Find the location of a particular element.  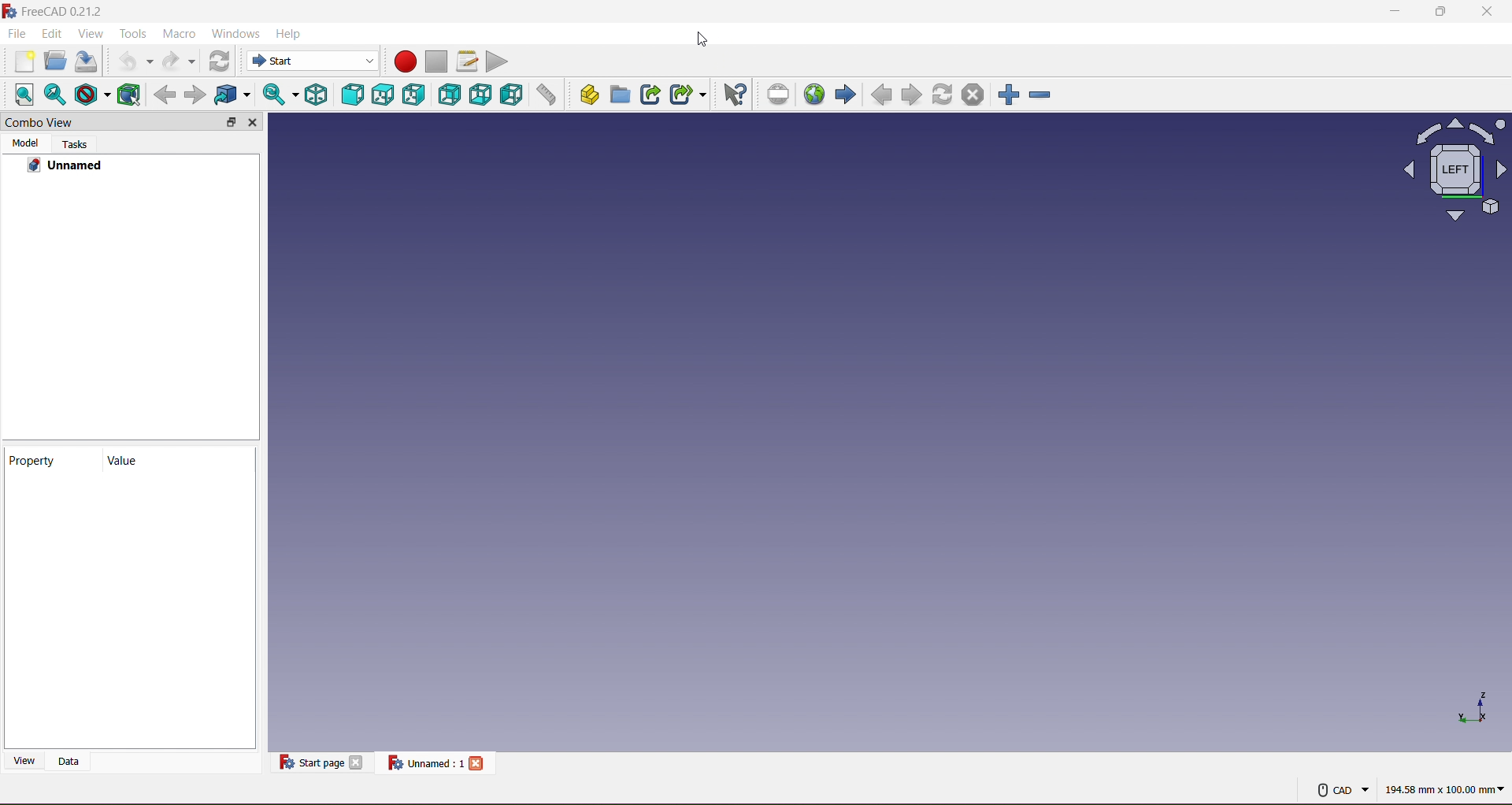

Forward Navigation is located at coordinates (912, 95).